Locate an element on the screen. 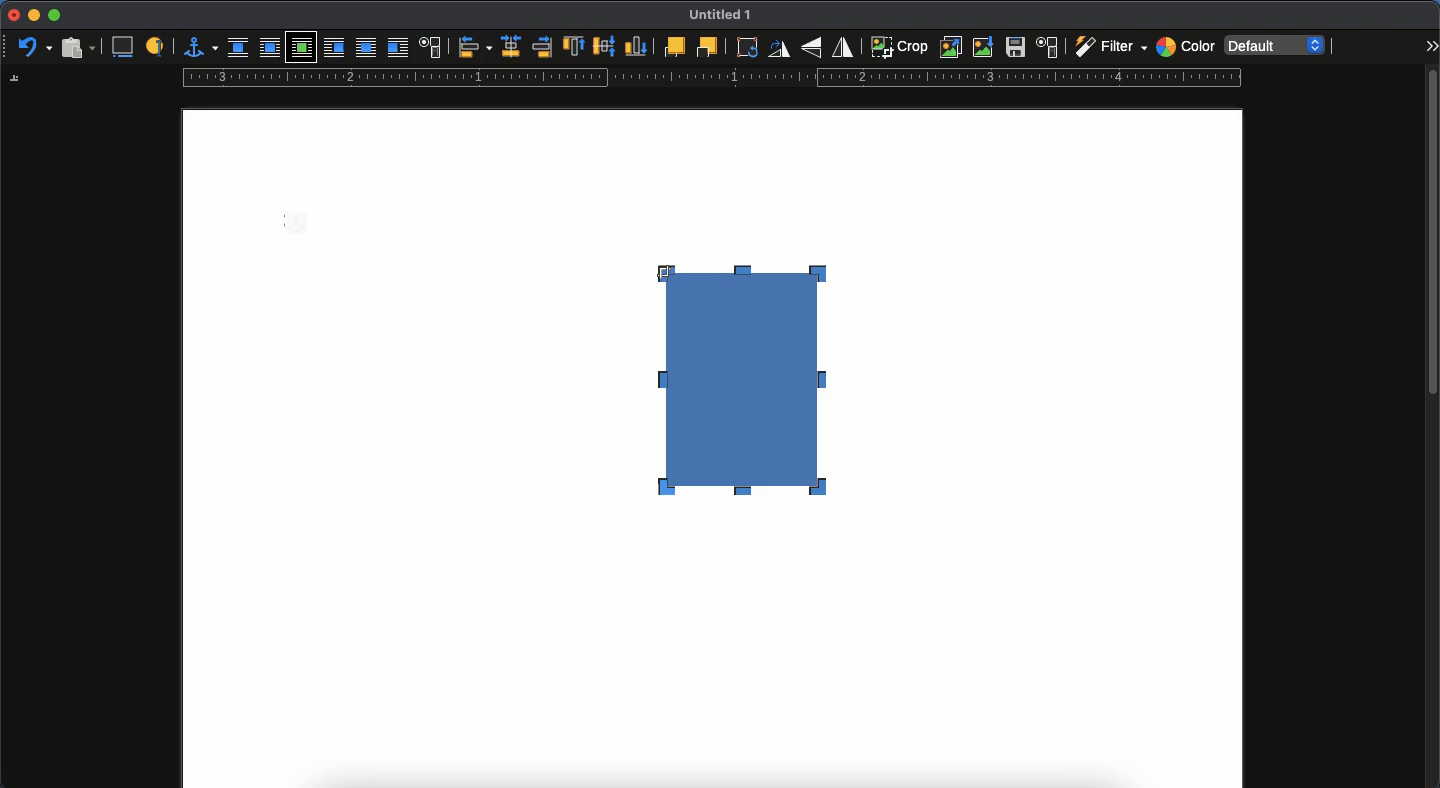  rotate is located at coordinates (744, 47).